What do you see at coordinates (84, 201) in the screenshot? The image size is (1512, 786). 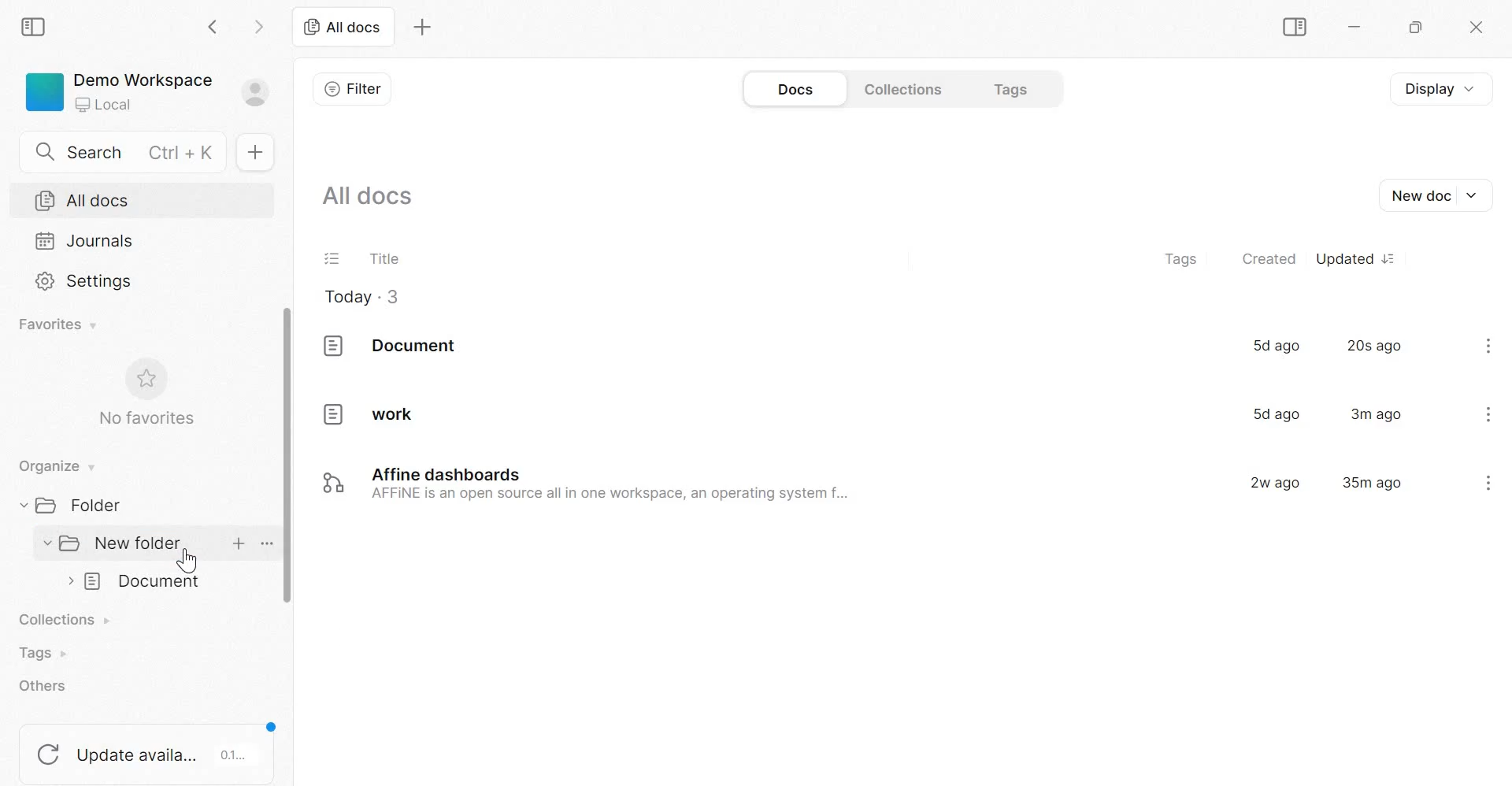 I see `All docs` at bounding box center [84, 201].